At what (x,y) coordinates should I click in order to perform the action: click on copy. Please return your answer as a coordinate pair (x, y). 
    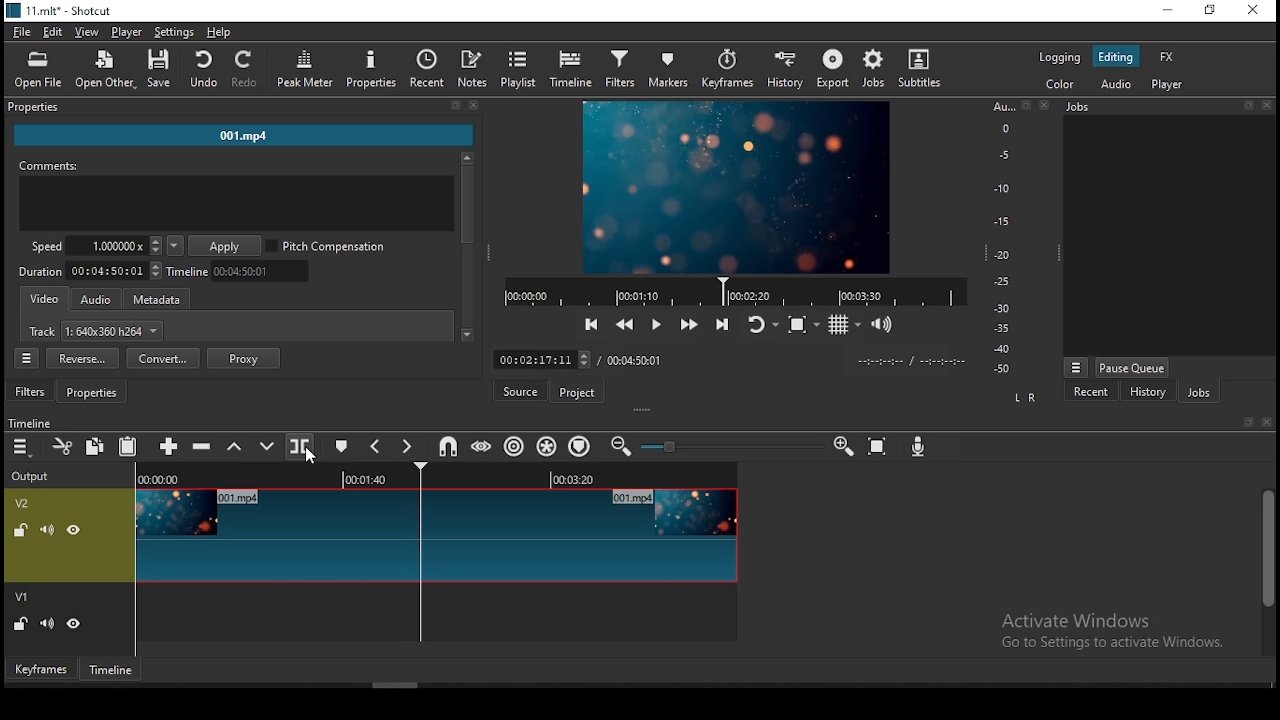
    Looking at the image, I should click on (95, 447).